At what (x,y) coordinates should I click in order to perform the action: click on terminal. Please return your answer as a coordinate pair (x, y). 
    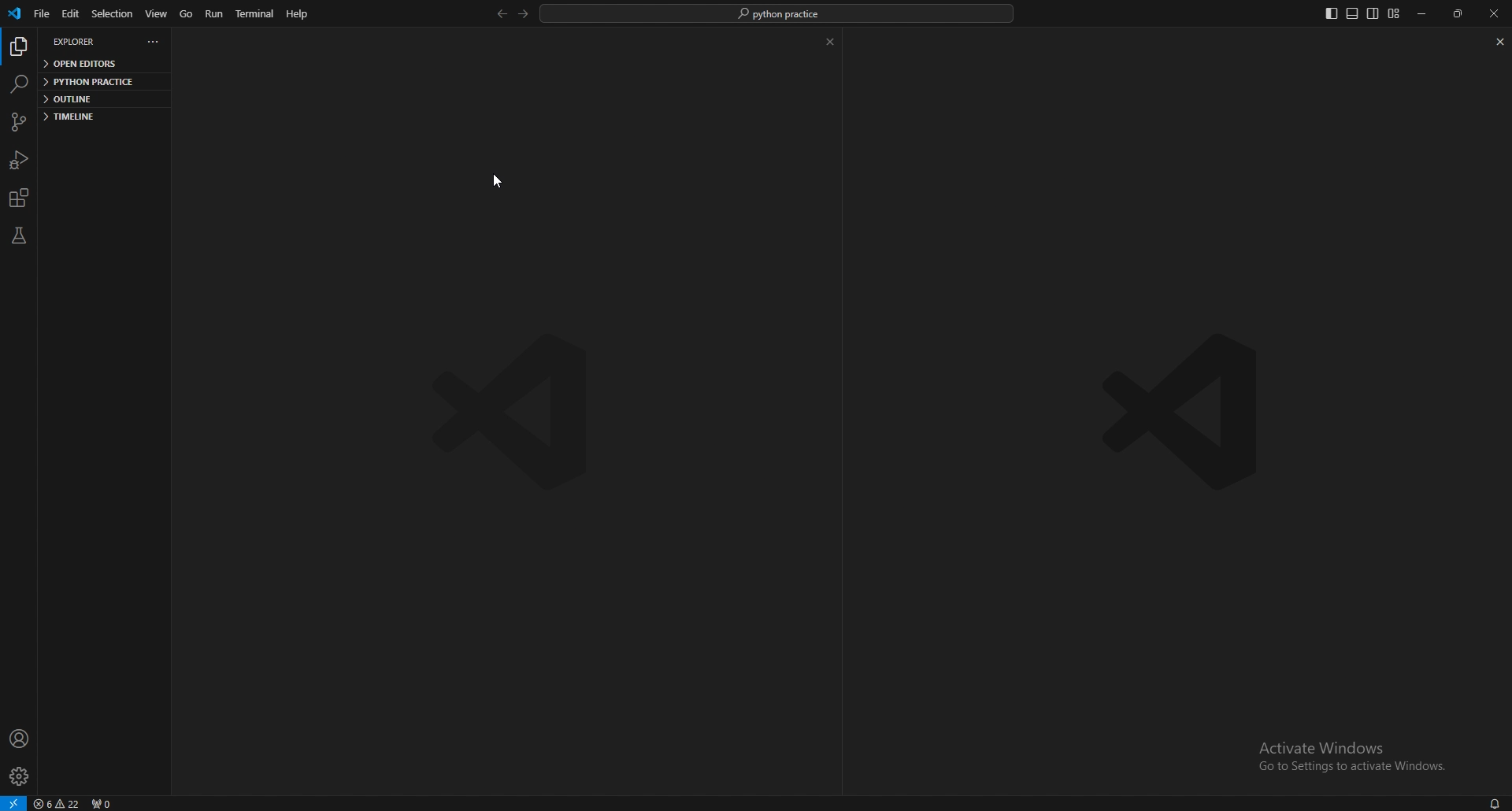
    Looking at the image, I should click on (254, 14).